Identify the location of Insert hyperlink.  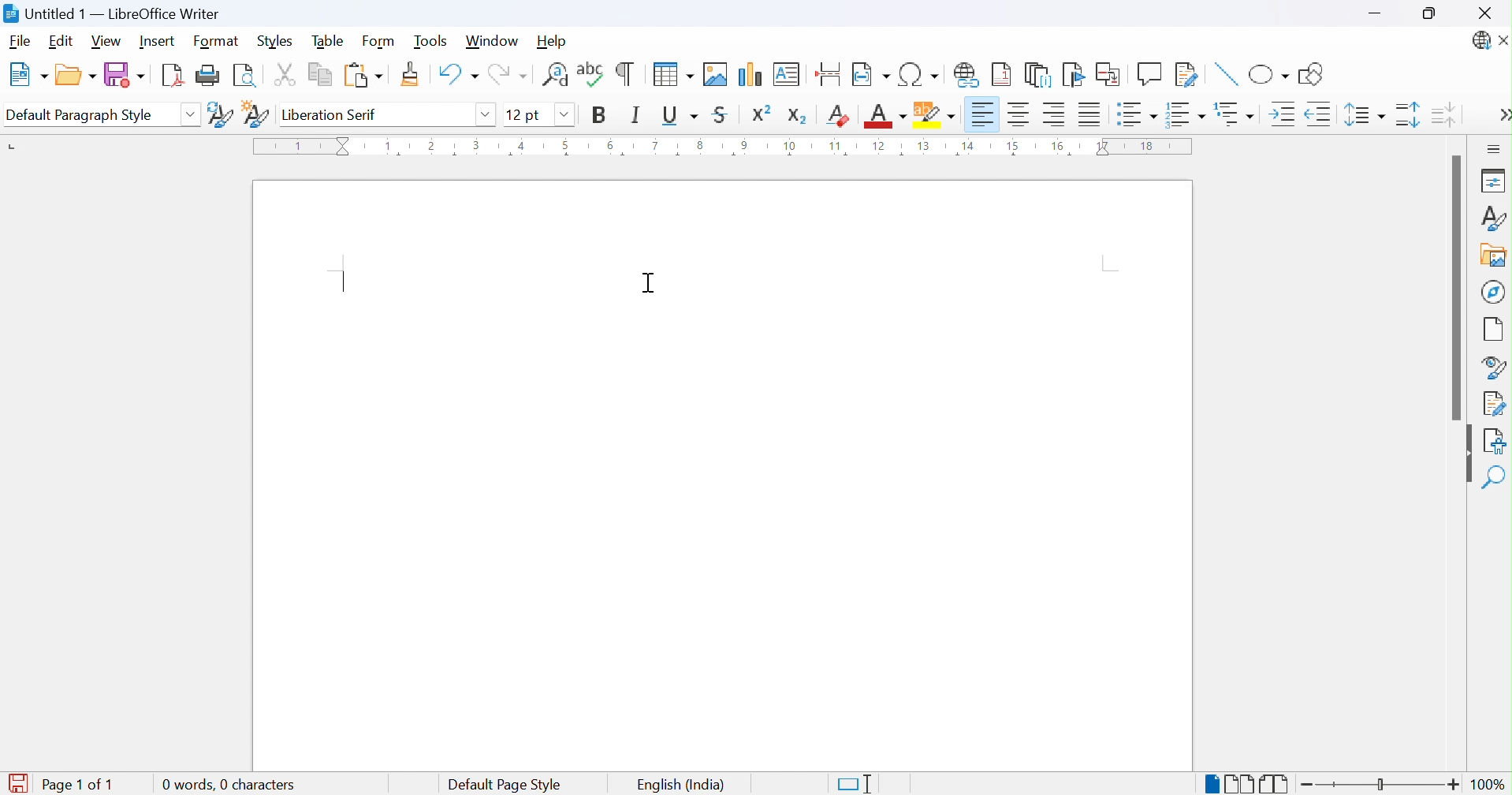
(970, 76).